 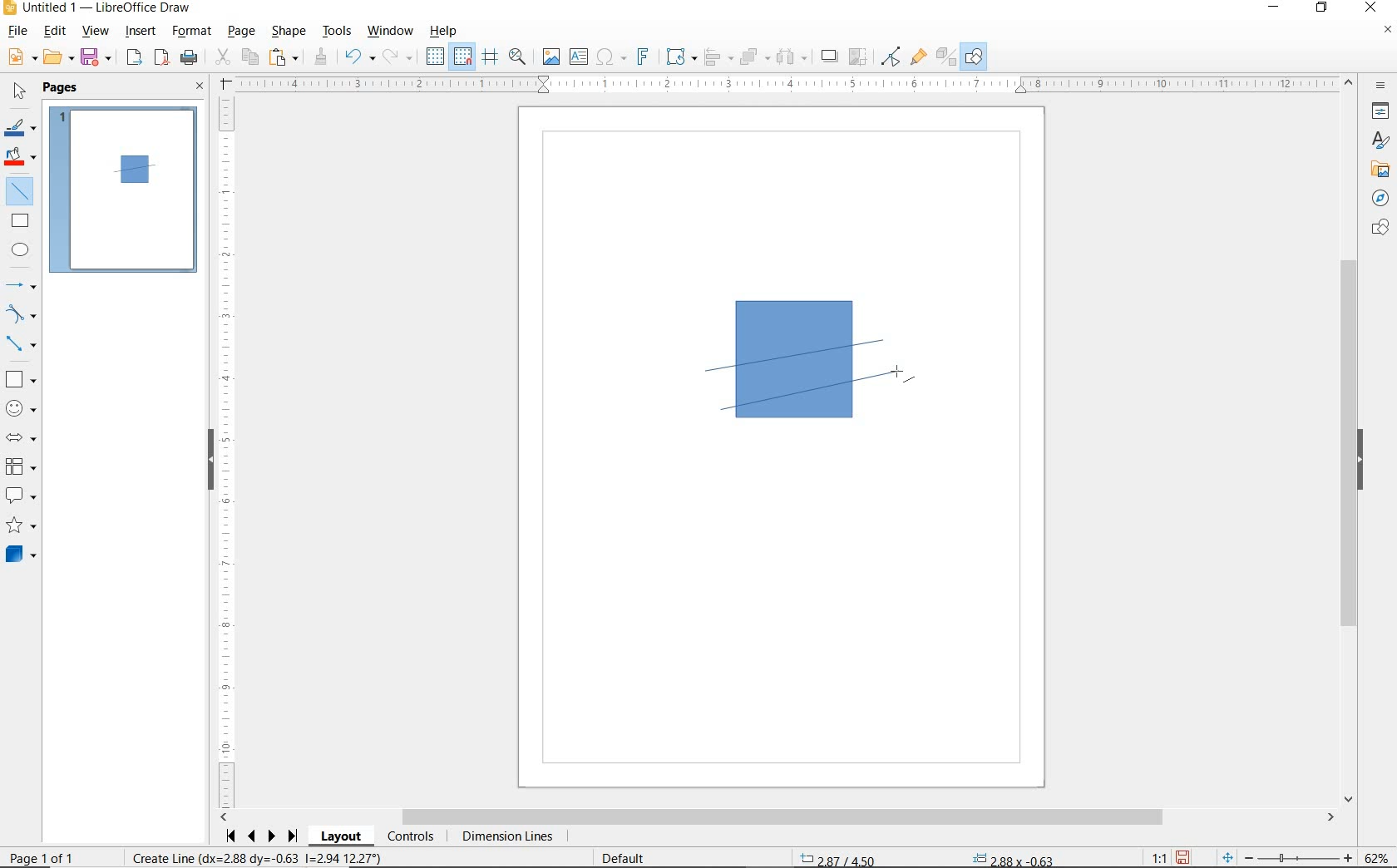 I want to click on SAVE, so click(x=1182, y=857).